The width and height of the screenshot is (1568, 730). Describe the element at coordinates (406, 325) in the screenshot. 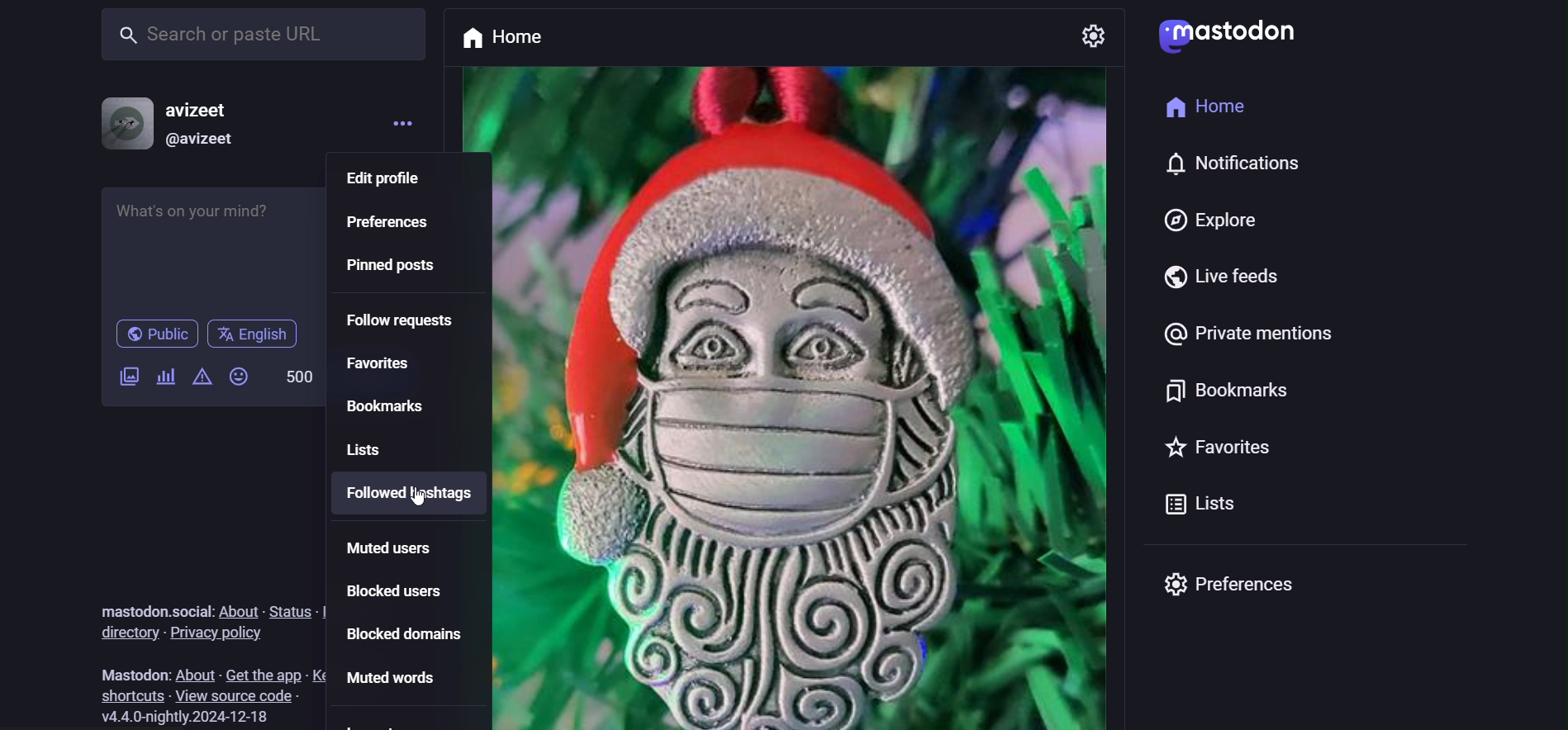

I see `follow requests` at that location.